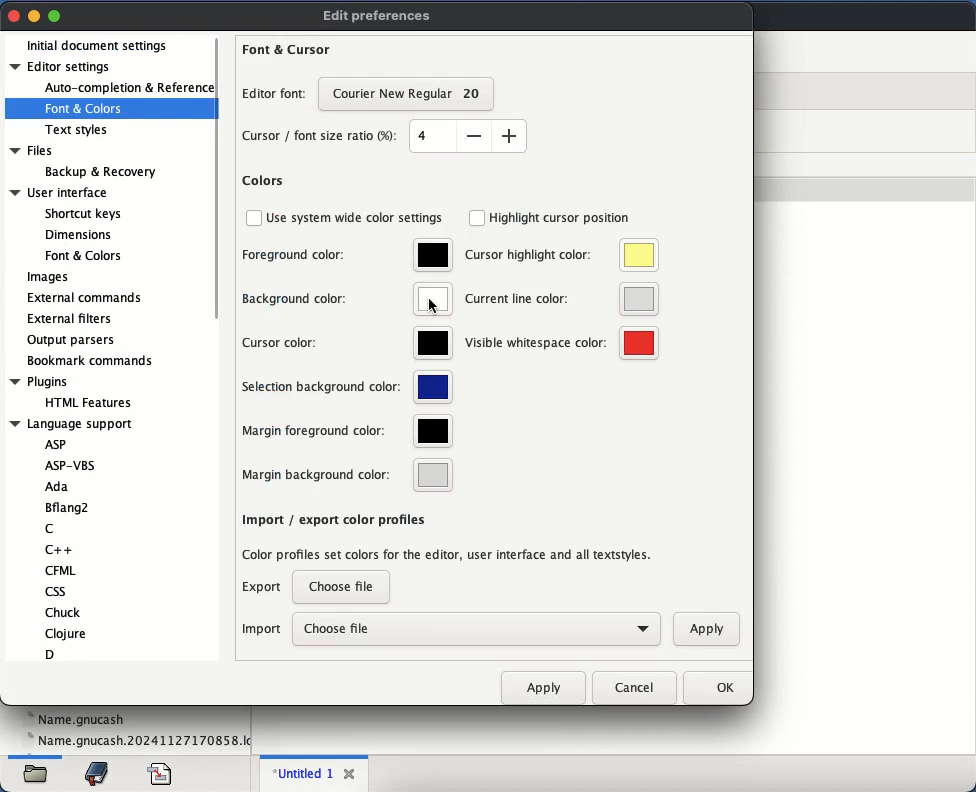  What do you see at coordinates (62, 68) in the screenshot?
I see `editor settings` at bounding box center [62, 68].